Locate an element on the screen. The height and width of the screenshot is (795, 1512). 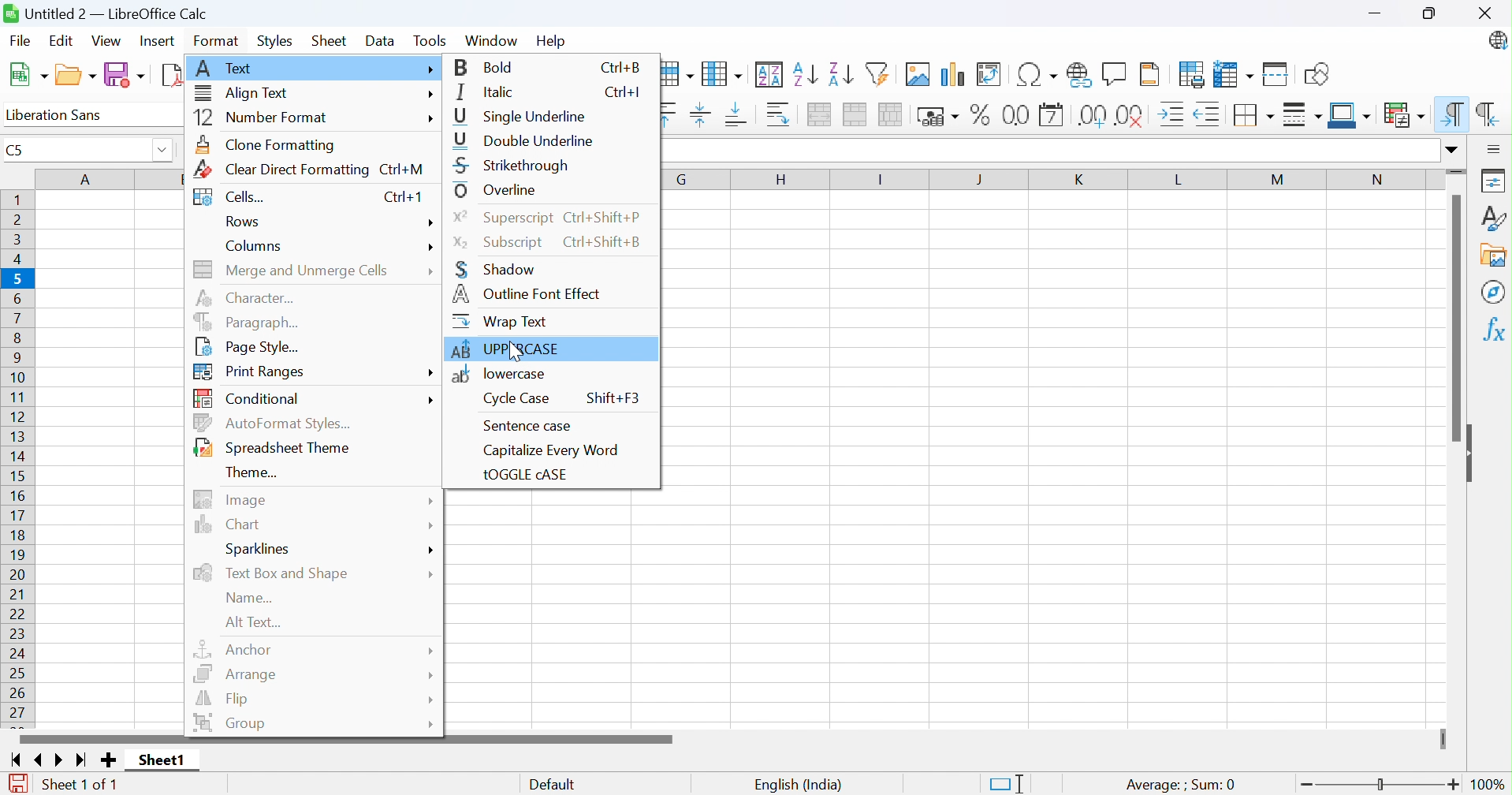
Borders is located at coordinates (1256, 116).